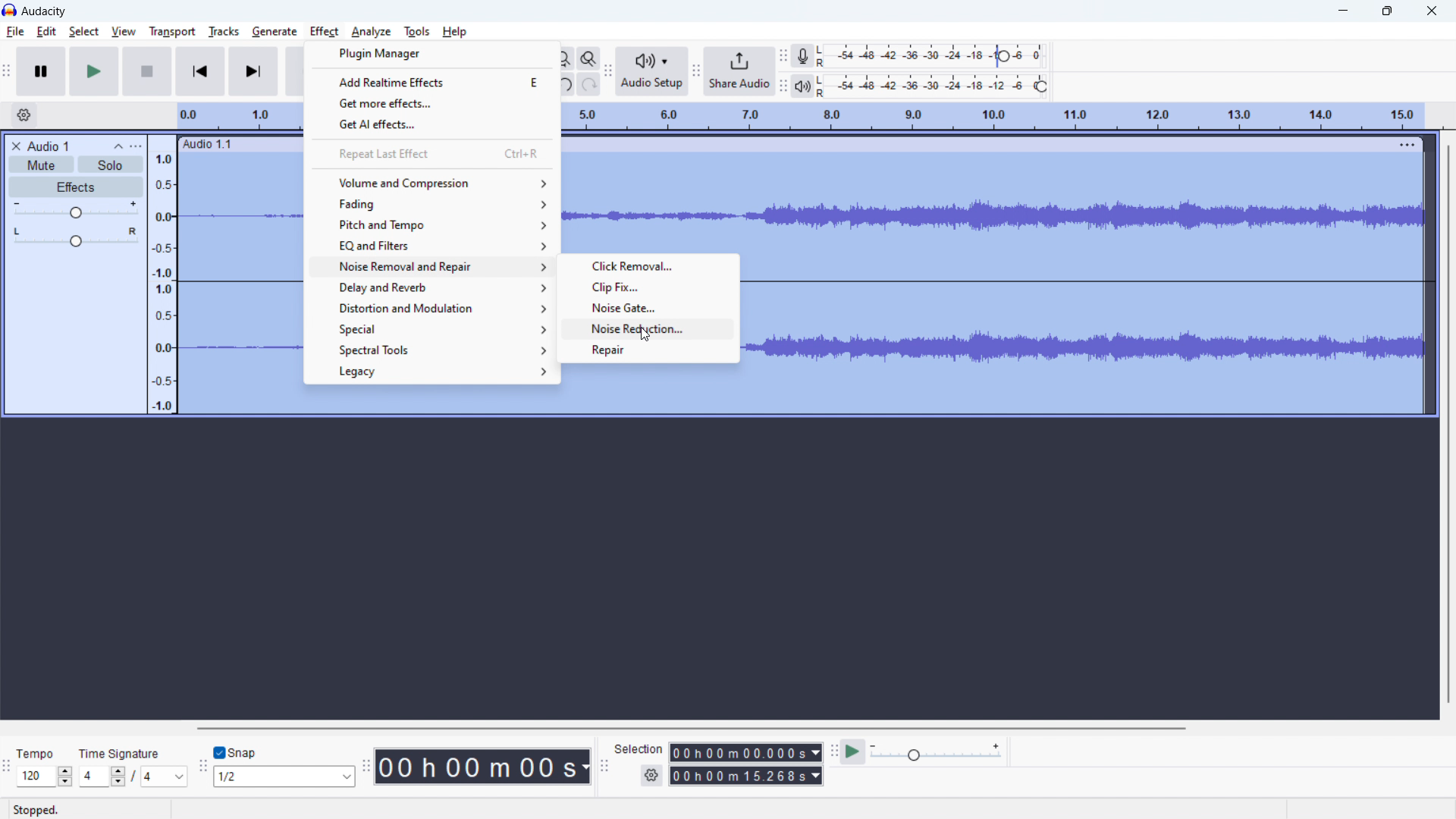 Image resolution: width=1456 pixels, height=819 pixels. What do you see at coordinates (783, 86) in the screenshot?
I see `playback meter toolbar` at bounding box center [783, 86].